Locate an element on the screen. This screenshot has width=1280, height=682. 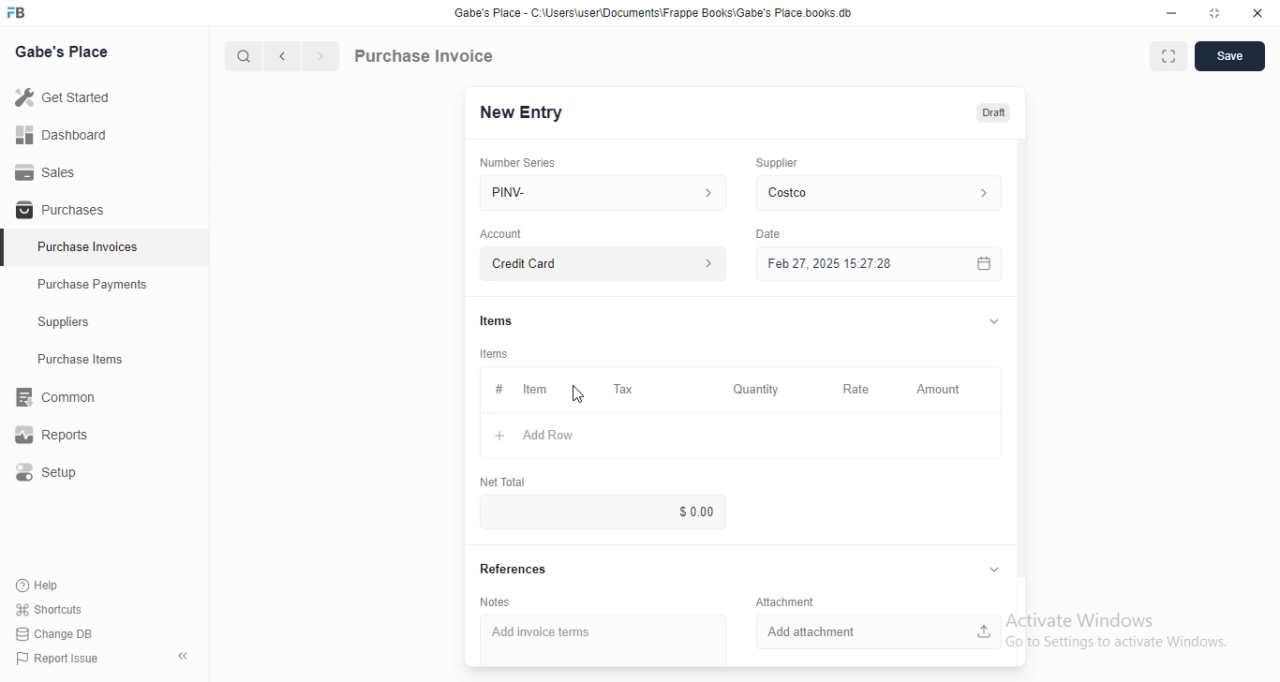
Collapse is located at coordinates (183, 656).